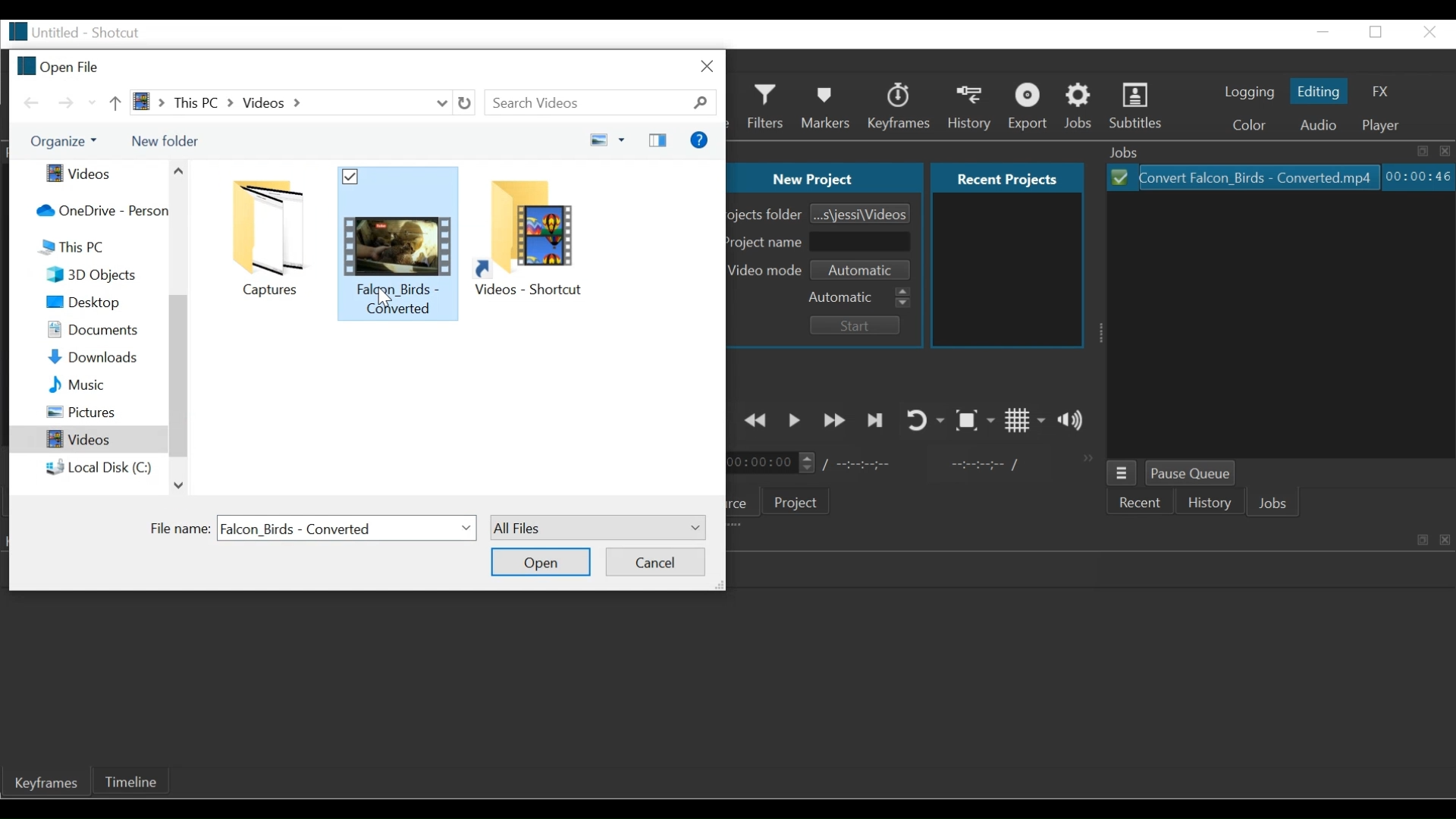 The width and height of the screenshot is (1456, 819). What do you see at coordinates (986, 465) in the screenshot?
I see `In point` at bounding box center [986, 465].